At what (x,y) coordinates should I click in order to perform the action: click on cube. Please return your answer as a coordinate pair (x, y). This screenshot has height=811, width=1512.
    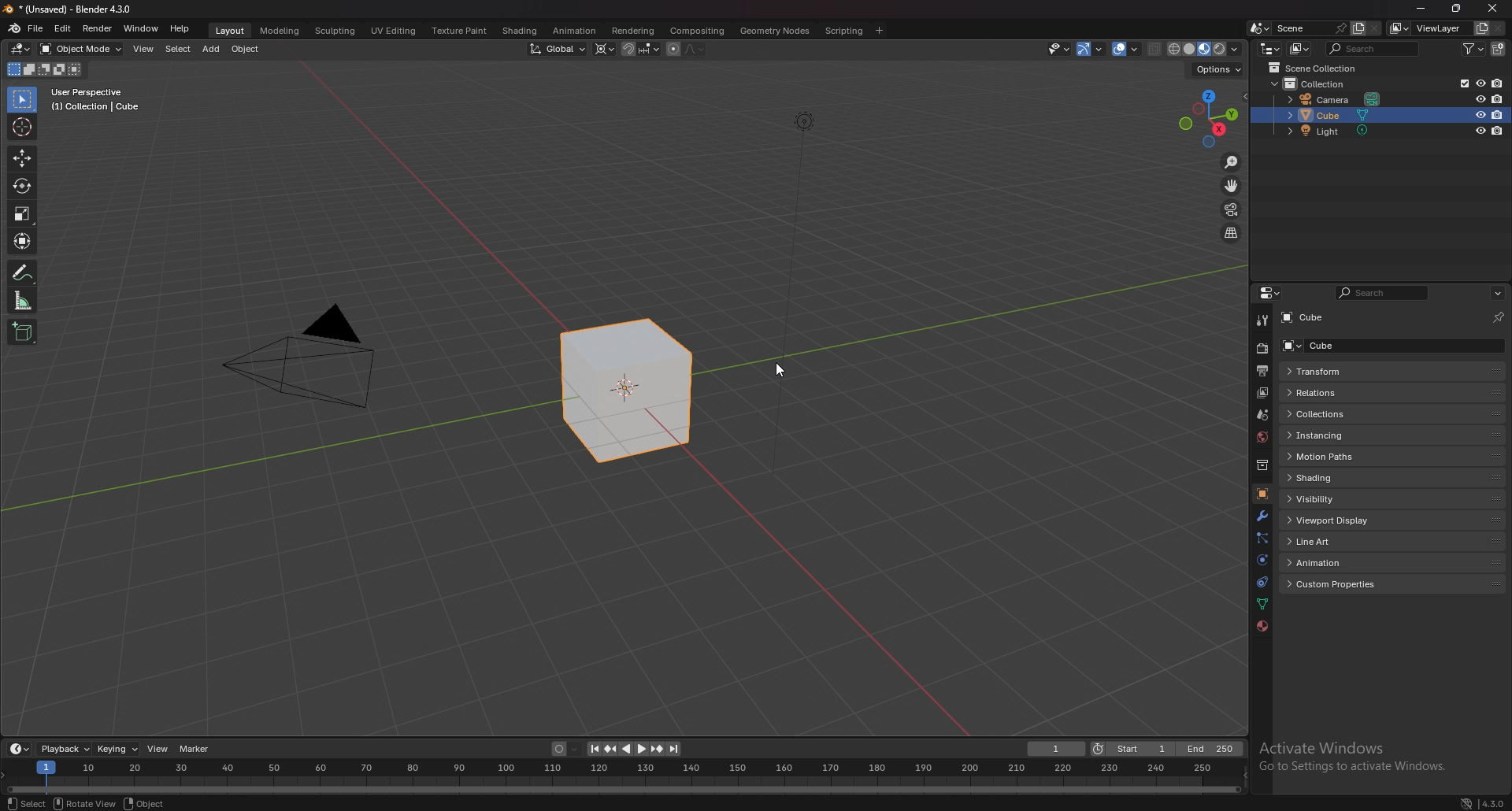
    Looking at the image, I should click on (1309, 318).